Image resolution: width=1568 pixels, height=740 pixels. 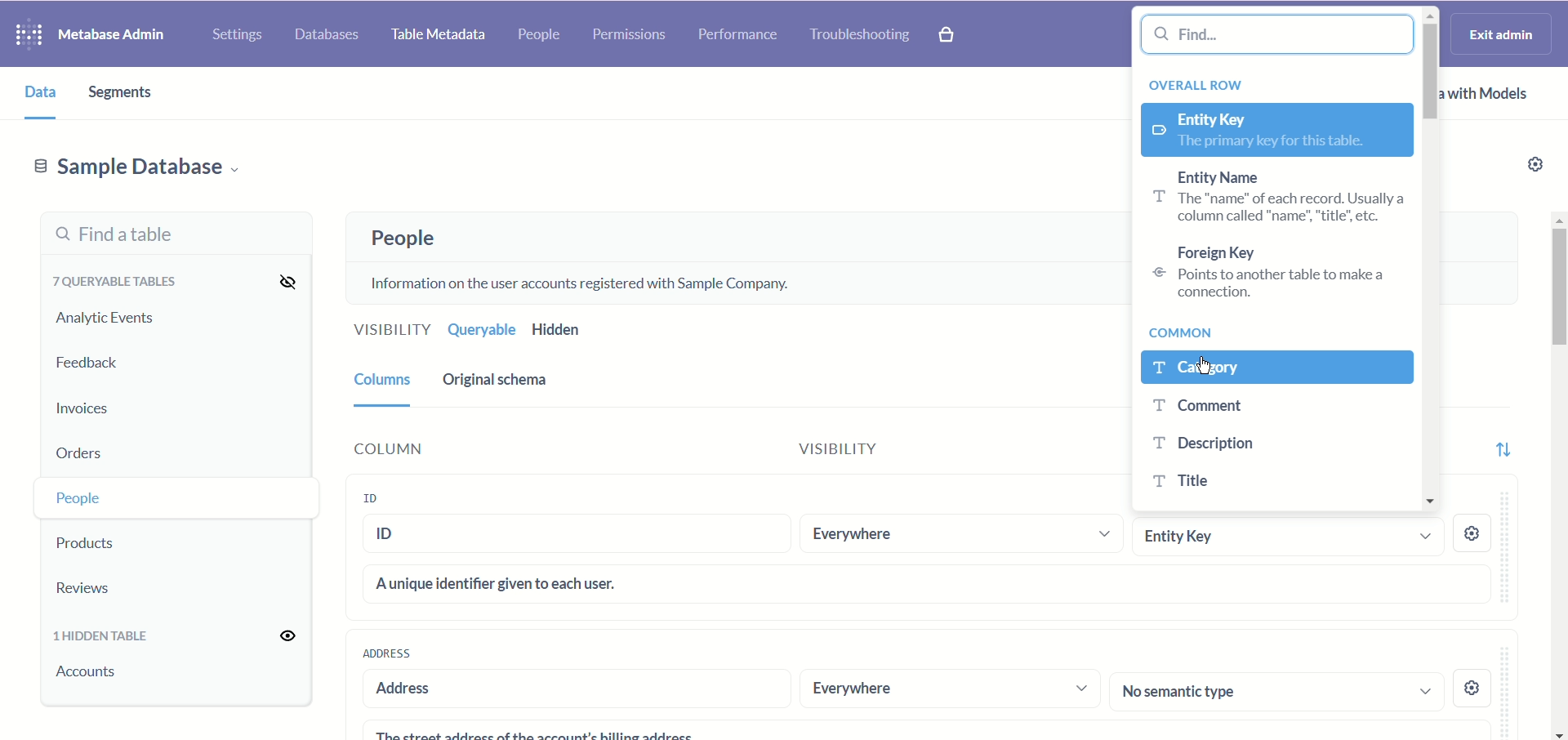 I want to click on o EntityKey
The primary key for this table., so click(x=1276, y=131).